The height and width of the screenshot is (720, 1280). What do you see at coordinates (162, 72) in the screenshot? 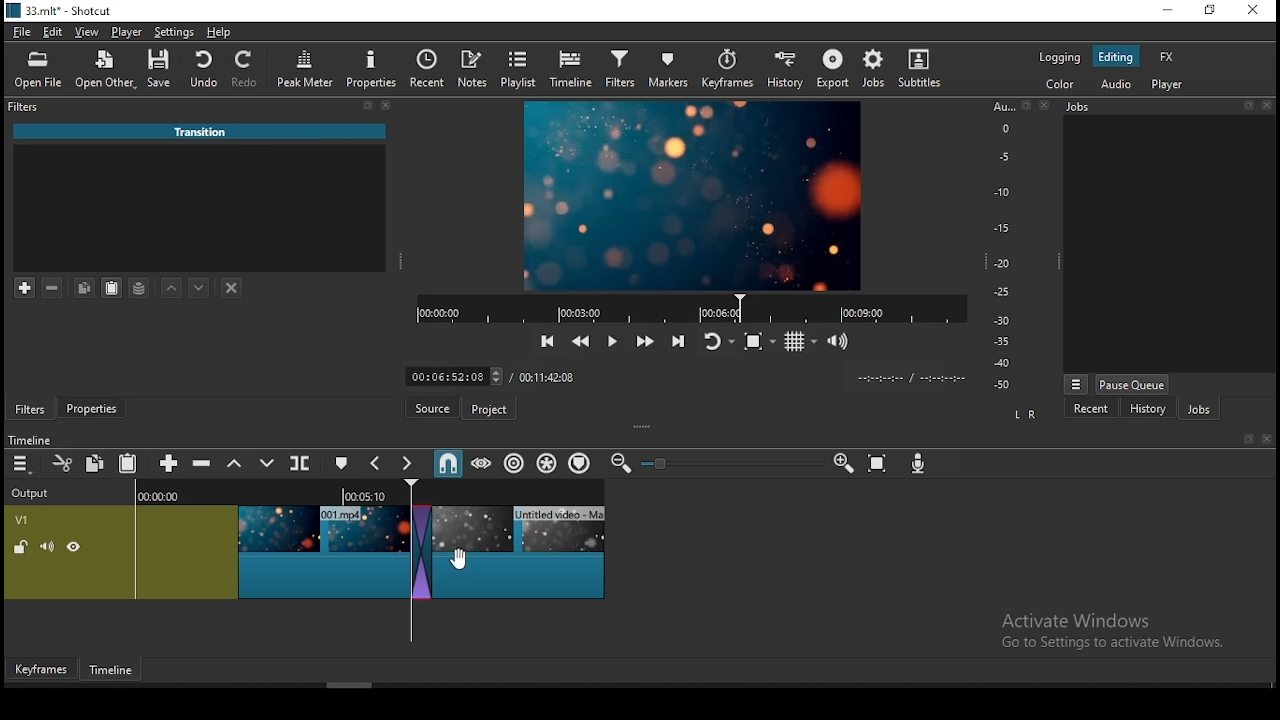
I see `save` at bounding box center [162, 72].